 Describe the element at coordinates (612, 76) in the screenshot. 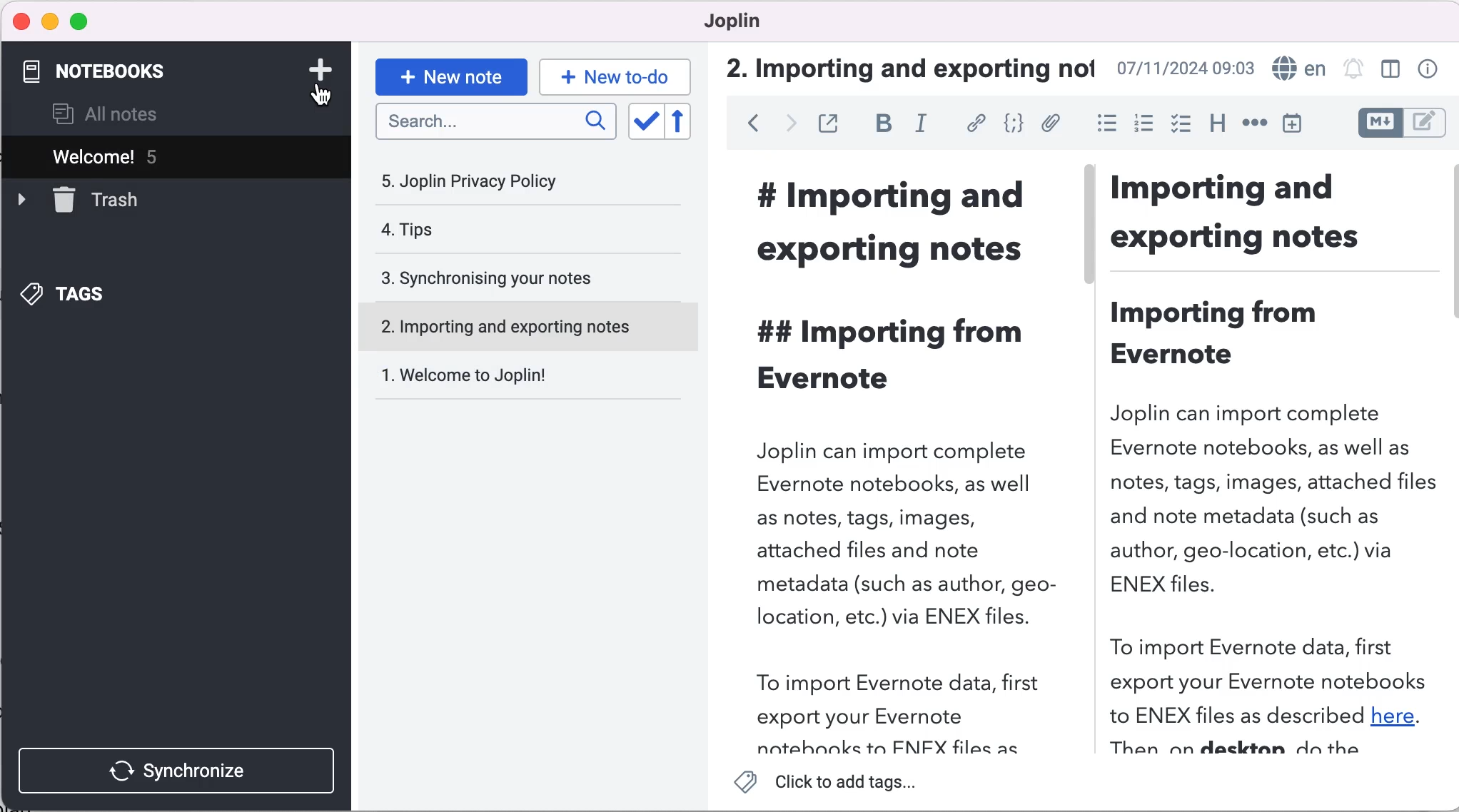

I see `new to-do` at that location.